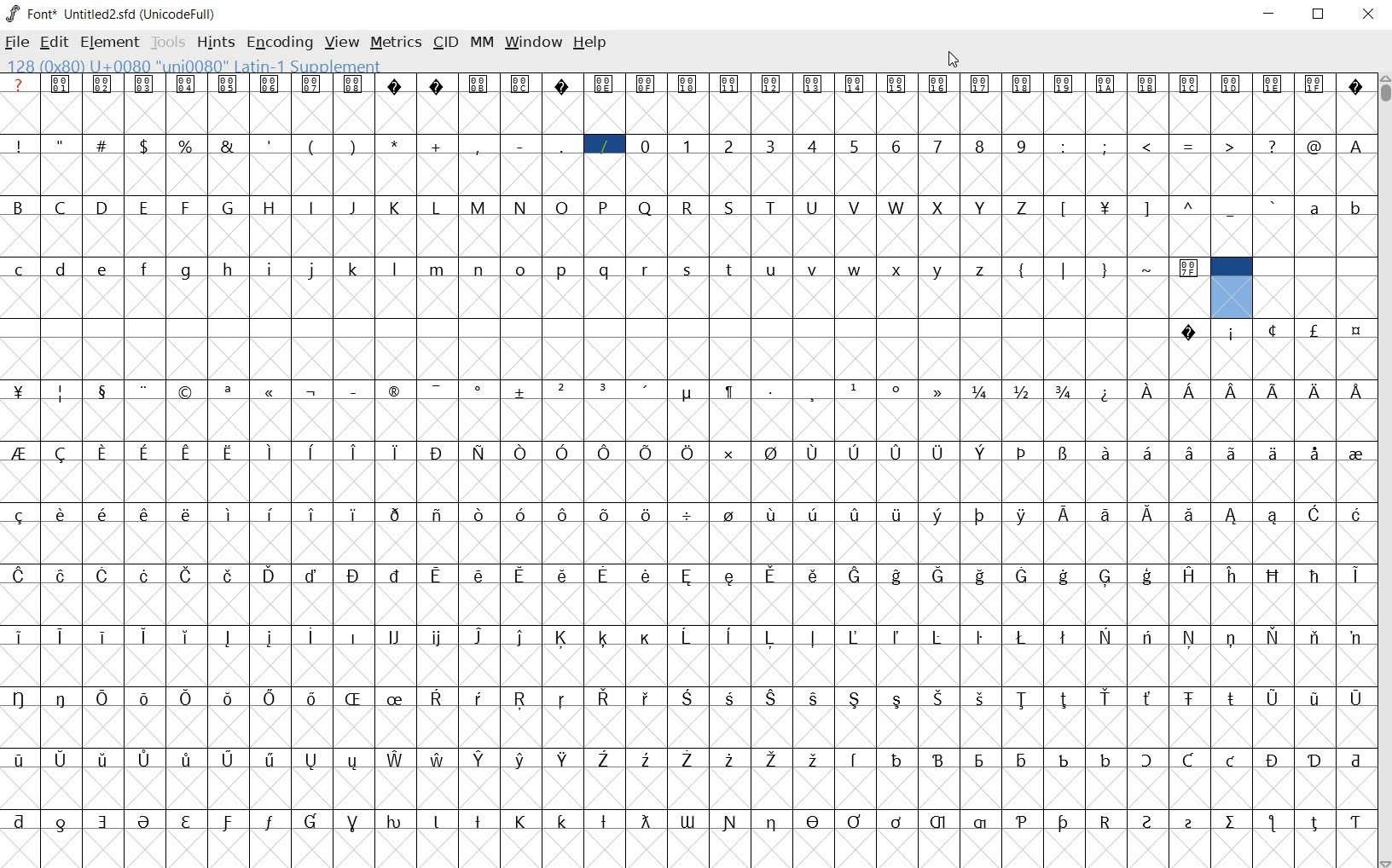  I want to click on Symbol, so click(813, 392).